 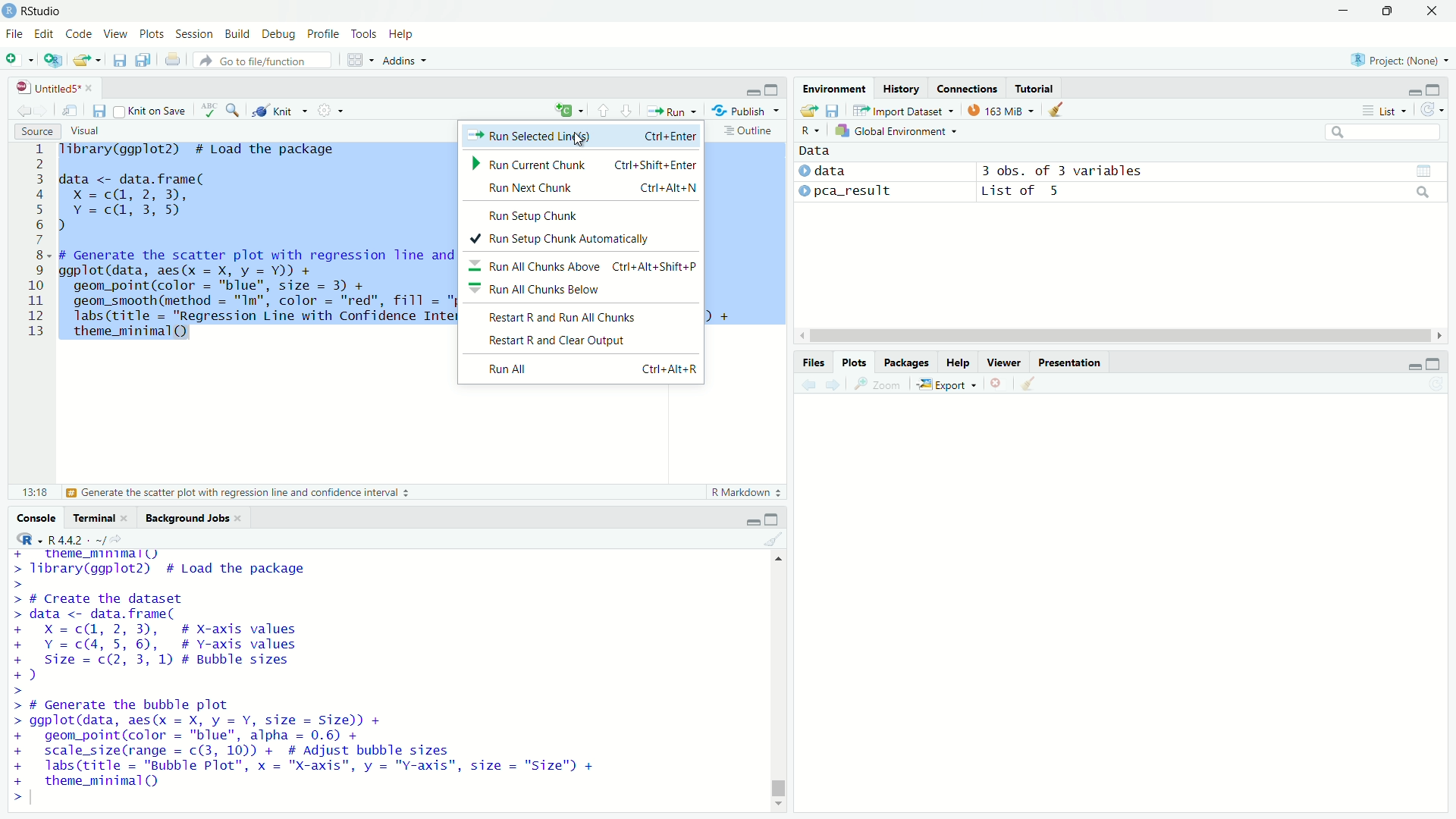 I want to click on Plots, so click(x=853, y=362).